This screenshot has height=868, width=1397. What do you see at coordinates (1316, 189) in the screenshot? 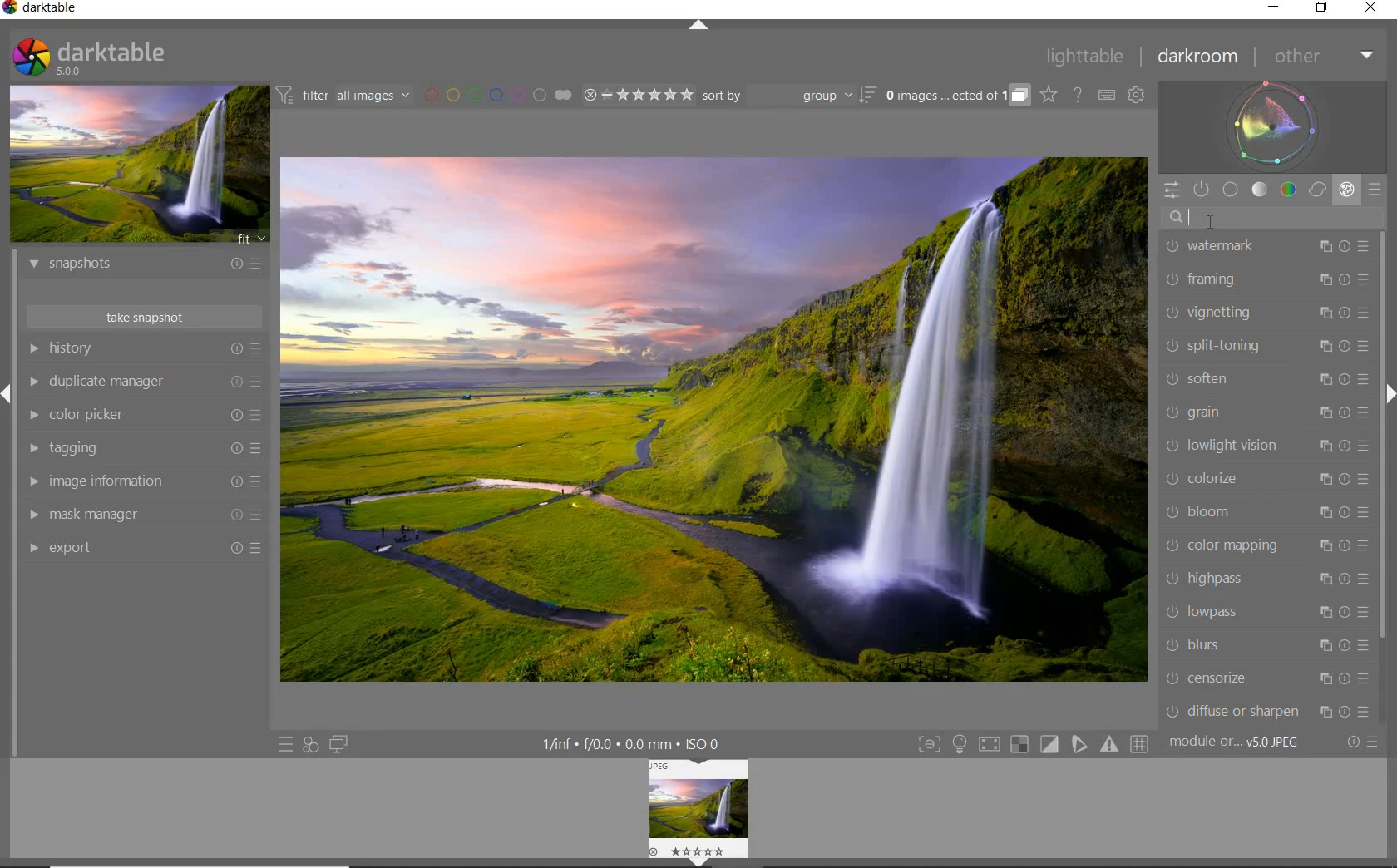
I see `correct` at bounding box center [1316, 189].